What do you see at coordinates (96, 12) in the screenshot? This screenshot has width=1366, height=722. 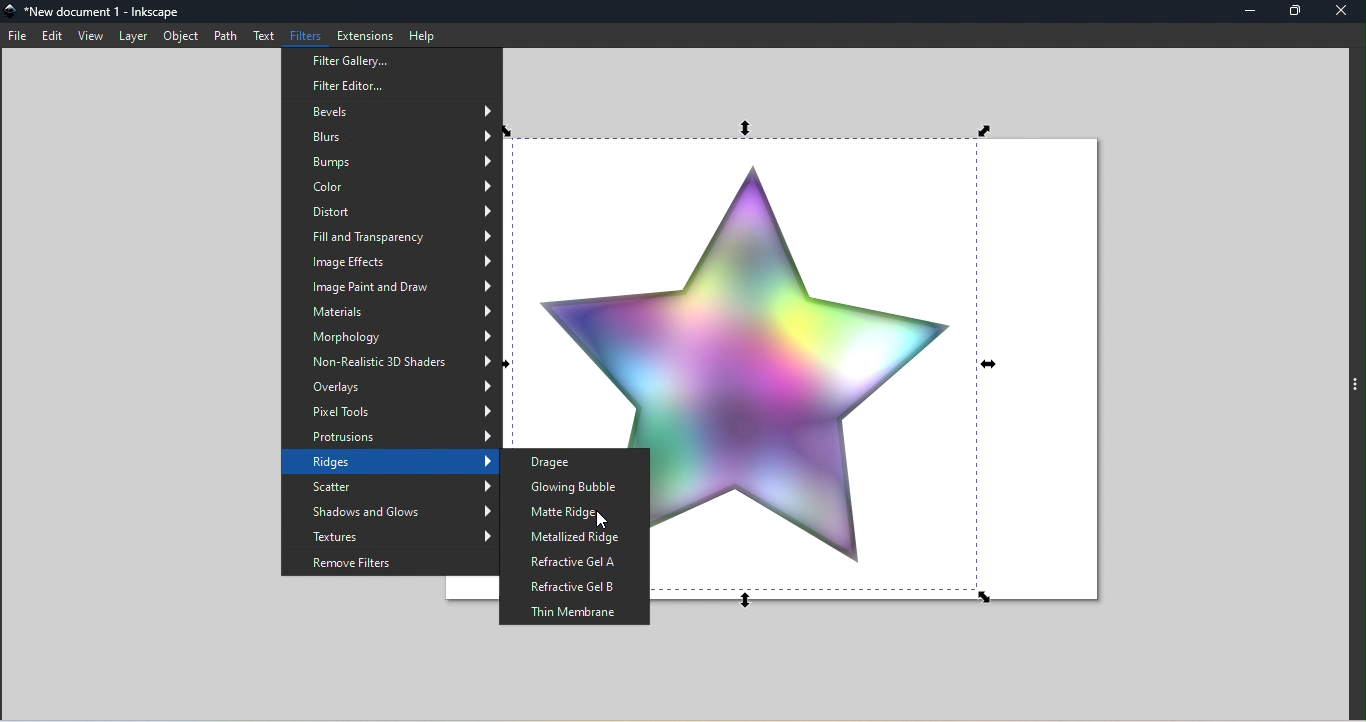 I see `File name` at bounding box center [96, 12].